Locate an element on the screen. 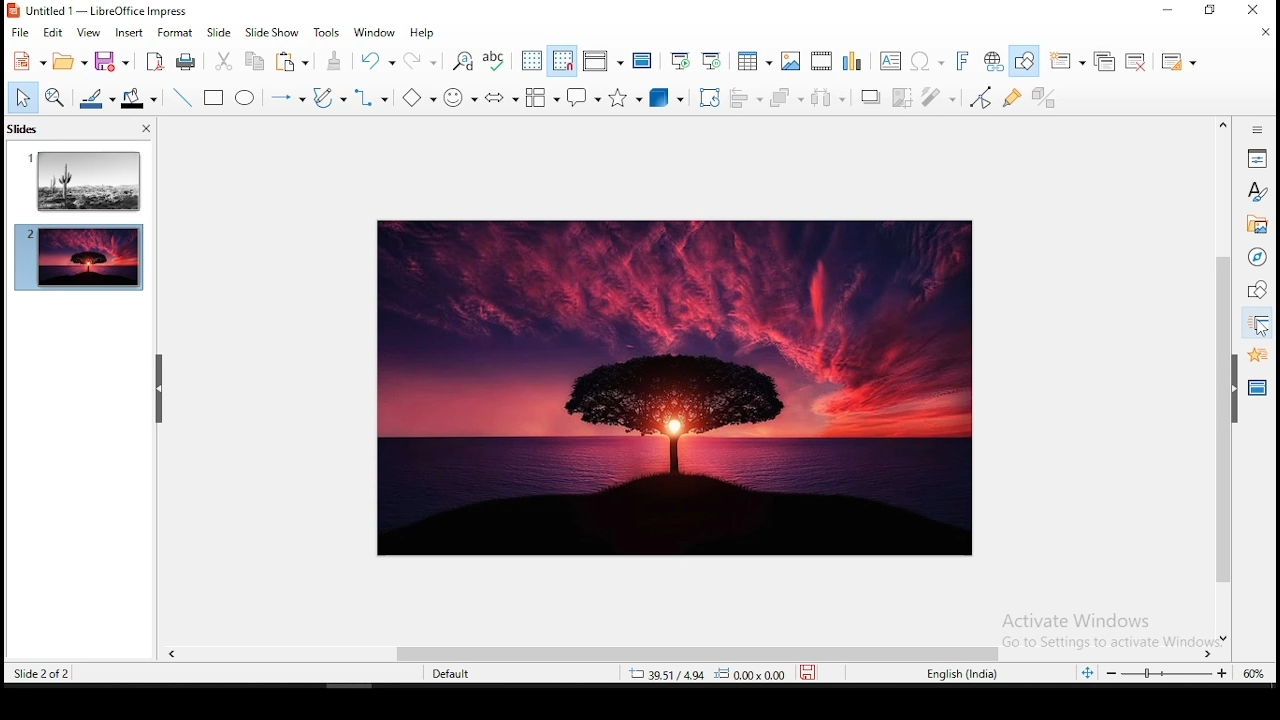 Image resolution: width=1280 pixels, height=720 pixels. redo is located at coordinates (423, 60).